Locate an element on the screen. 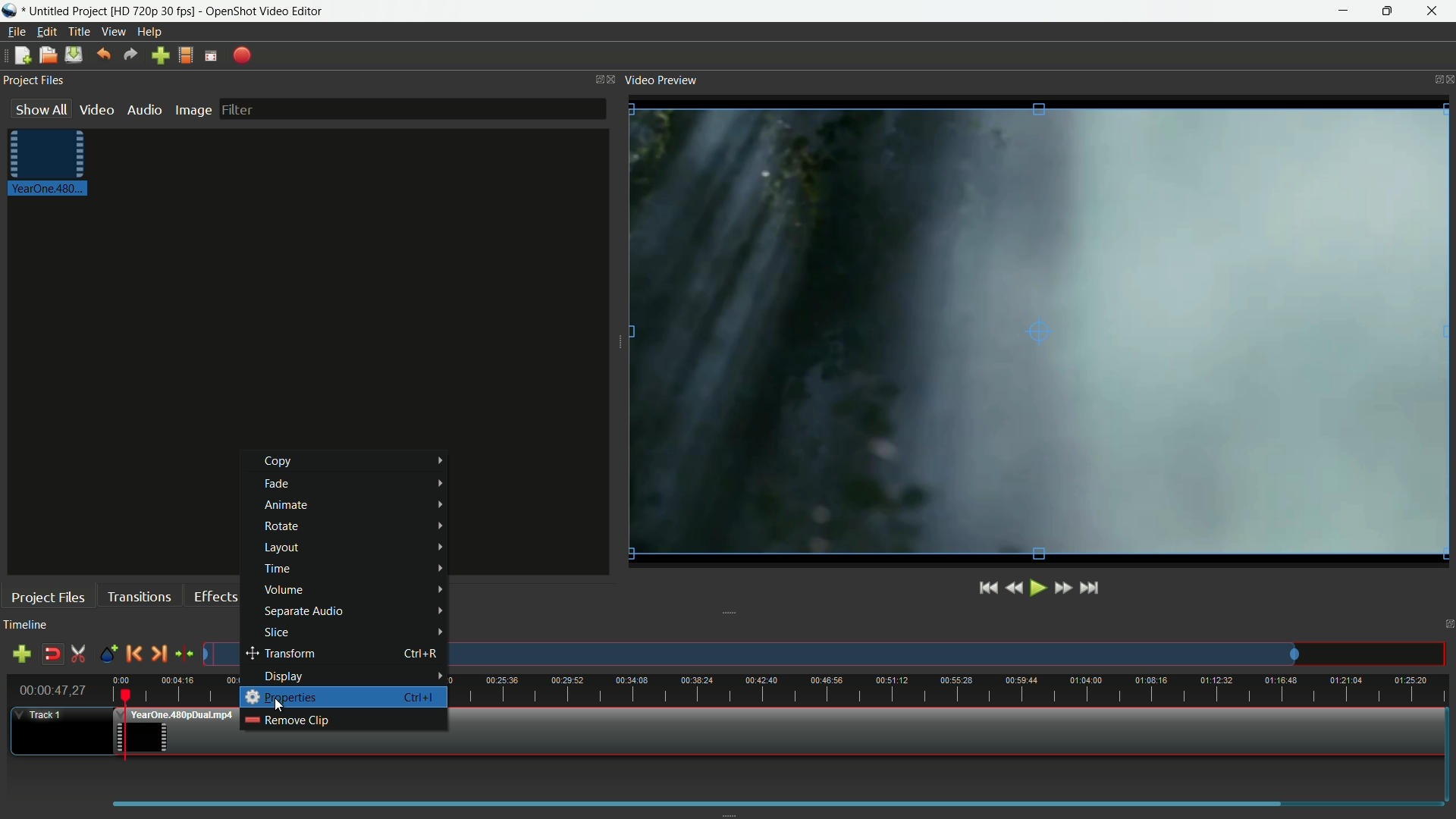  timeline is located at coordinates (28, 626).